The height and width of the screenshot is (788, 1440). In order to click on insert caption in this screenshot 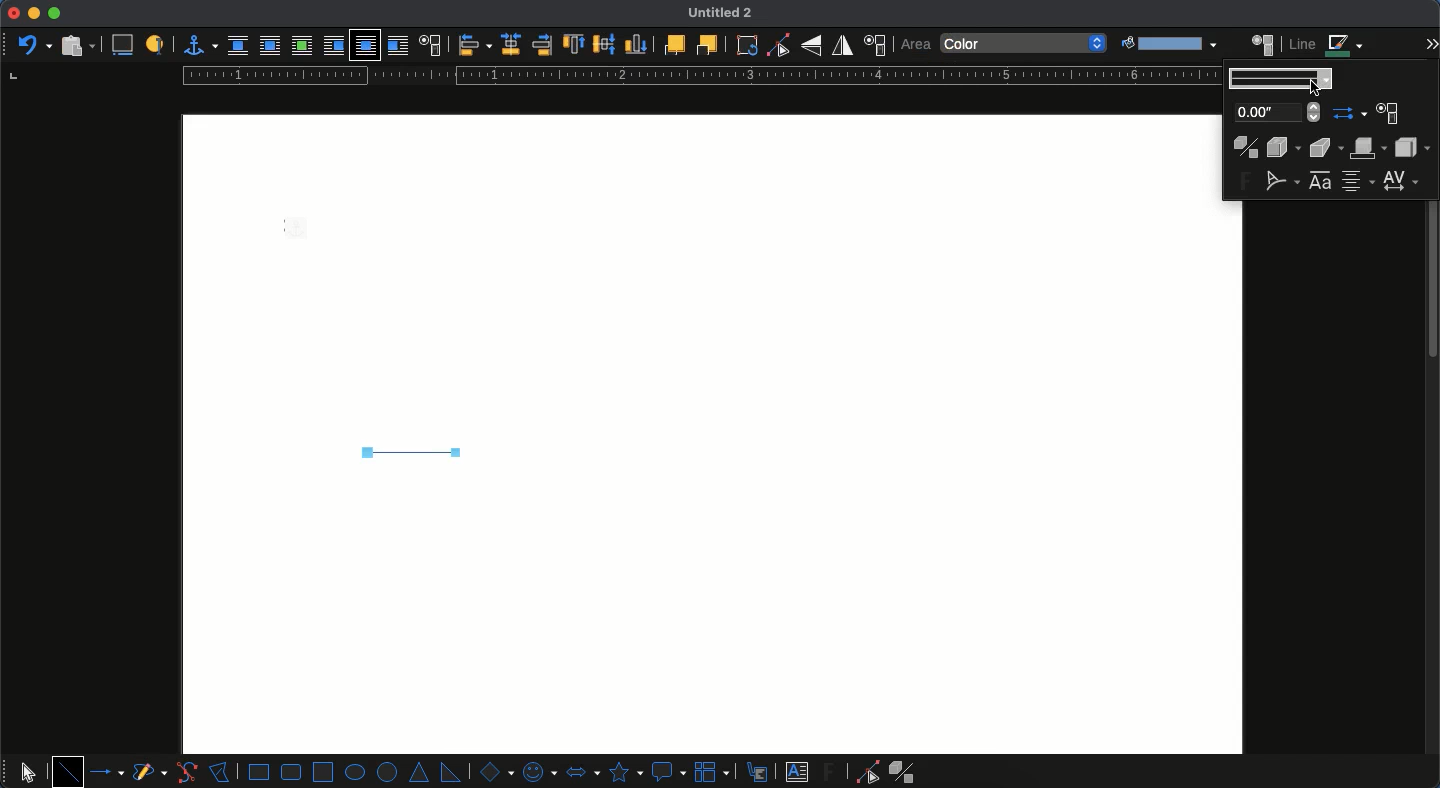, I will do `click(121, 46)`.